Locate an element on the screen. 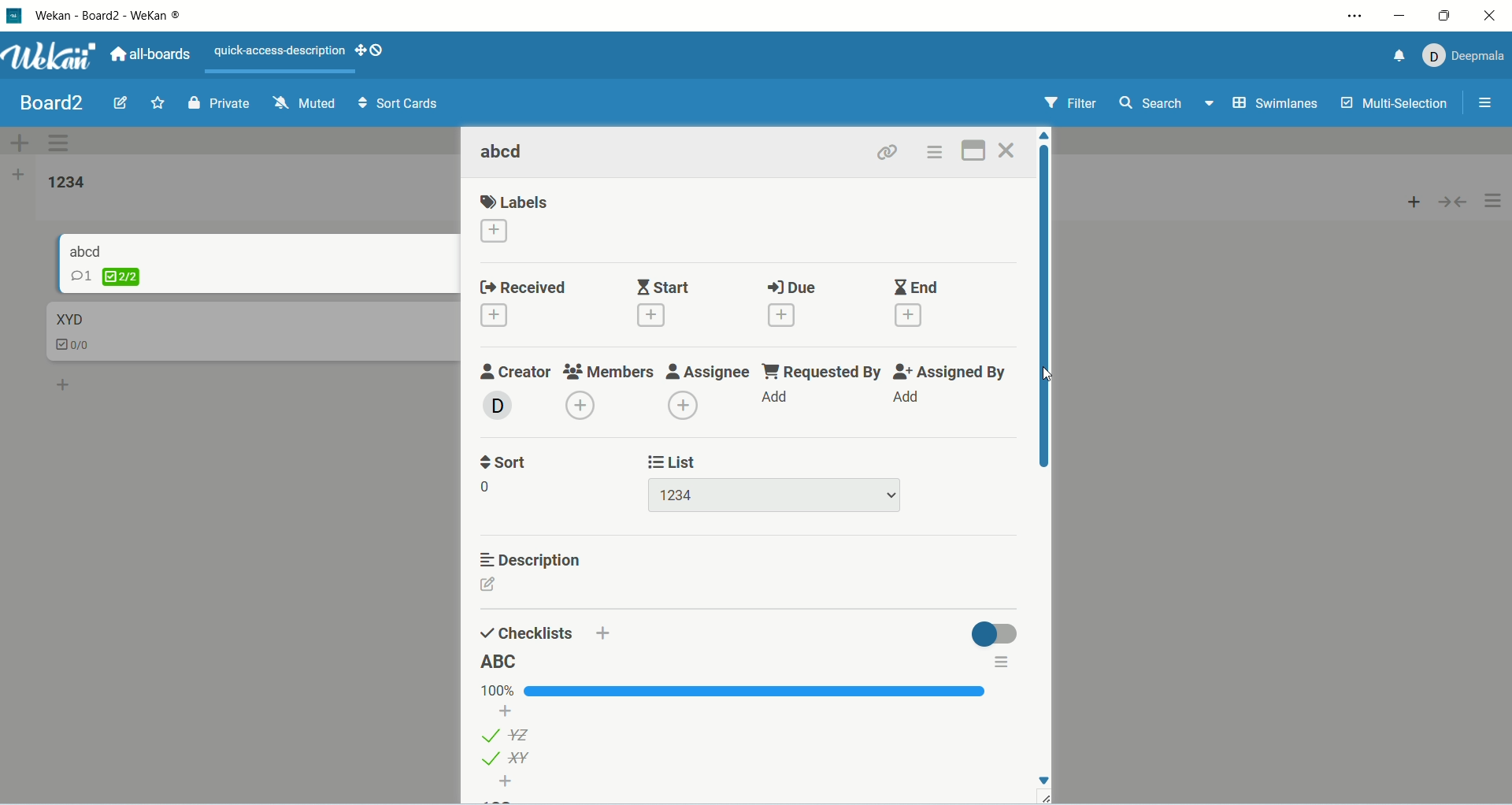 This screenshot has height=805, width=1512. edit is located at coordinates (120, 102).